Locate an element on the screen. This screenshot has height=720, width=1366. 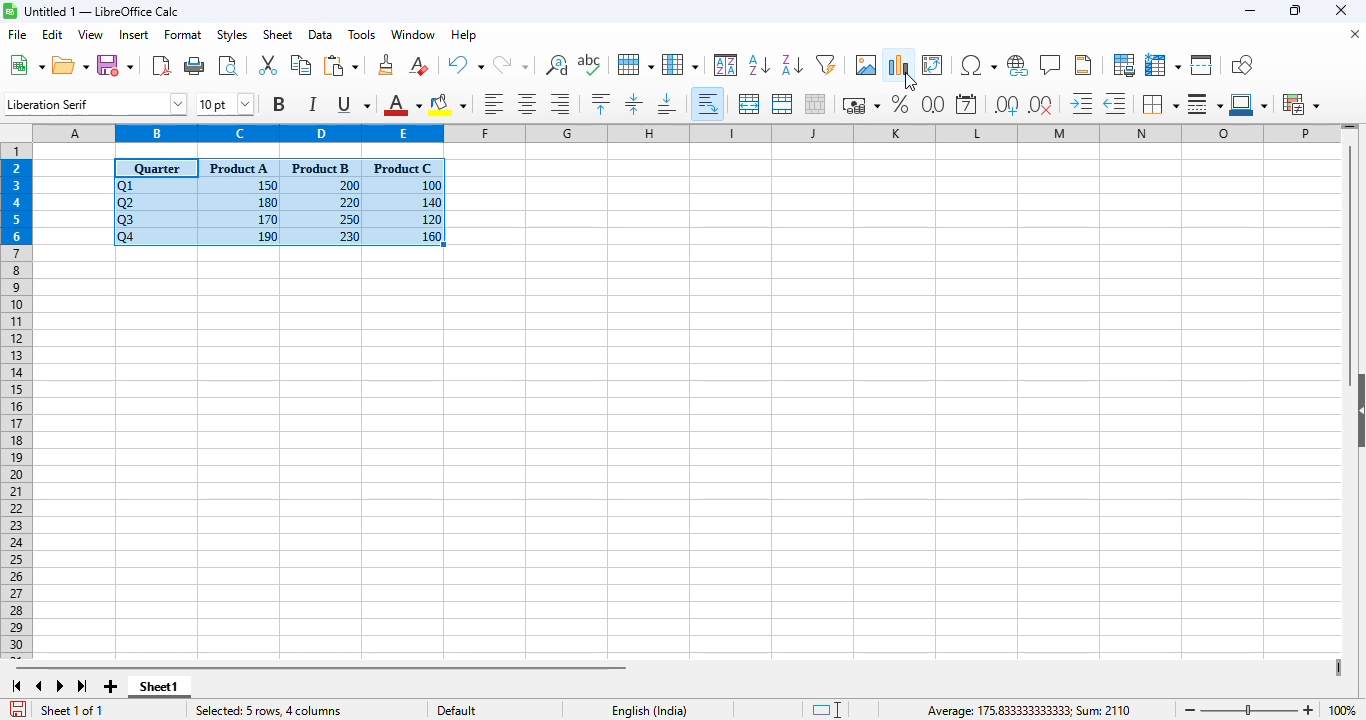
file is located at coordinates (16, 34).